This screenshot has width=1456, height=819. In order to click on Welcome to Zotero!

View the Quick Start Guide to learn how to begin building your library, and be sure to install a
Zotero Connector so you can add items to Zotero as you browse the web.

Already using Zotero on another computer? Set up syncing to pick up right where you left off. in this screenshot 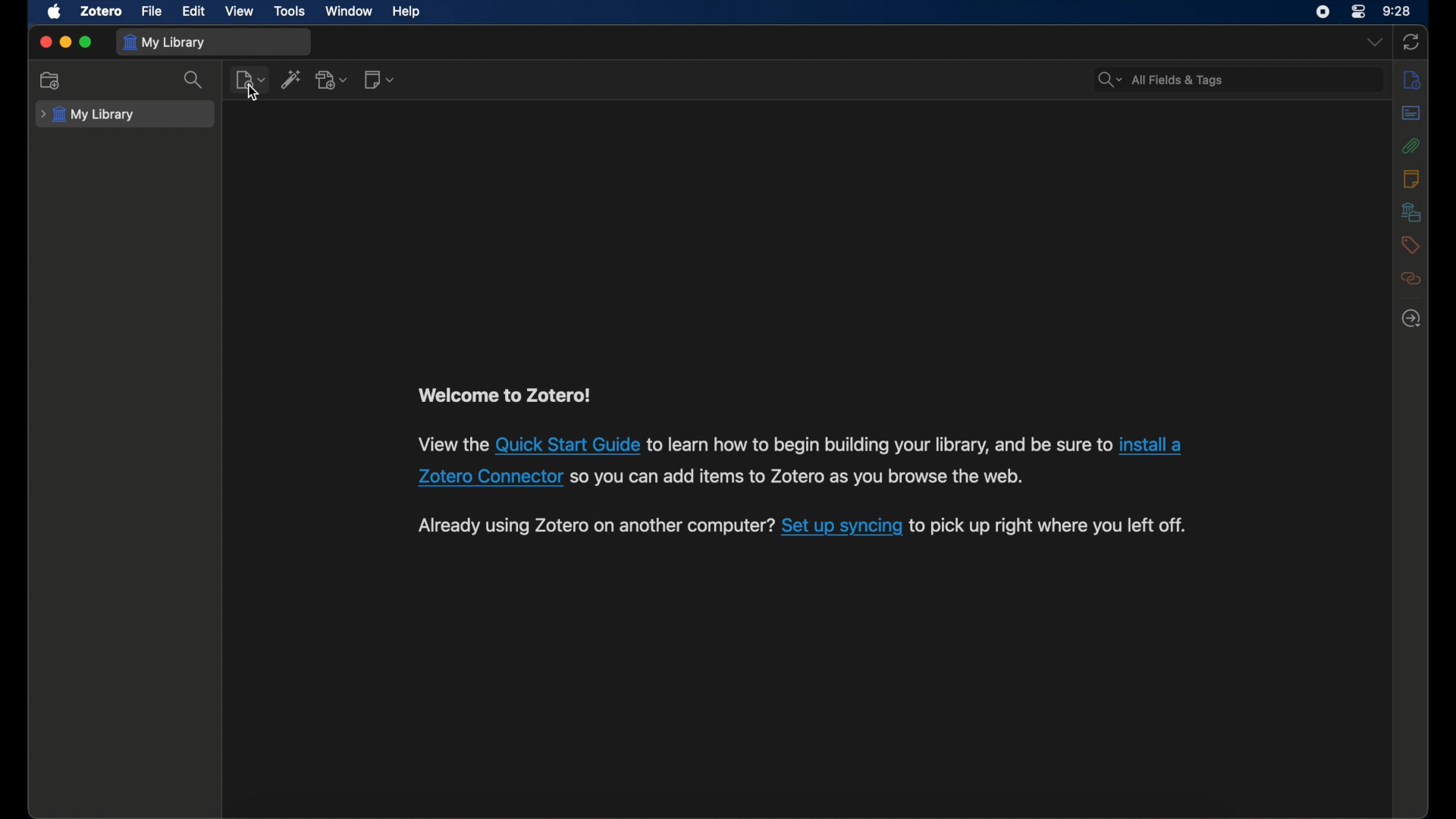, I will do `click(790, 454)`.